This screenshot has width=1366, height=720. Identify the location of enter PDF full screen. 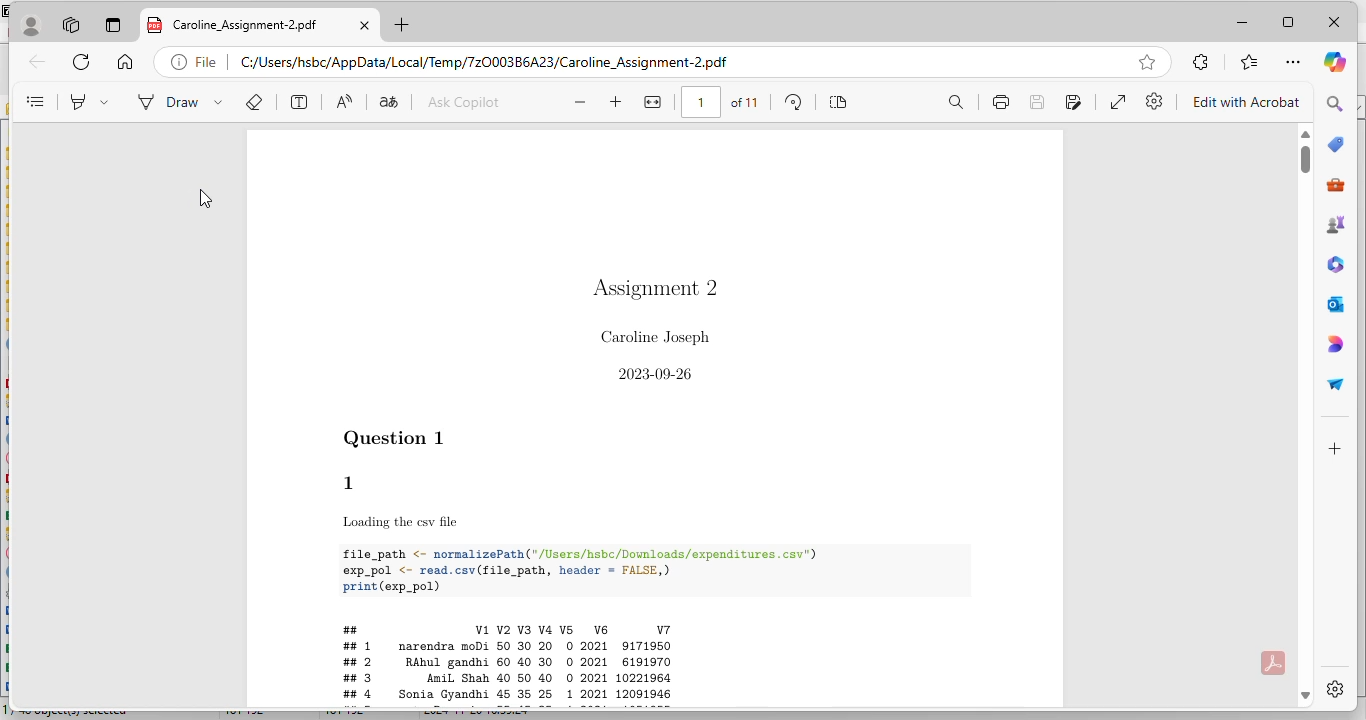
(1118, 102).